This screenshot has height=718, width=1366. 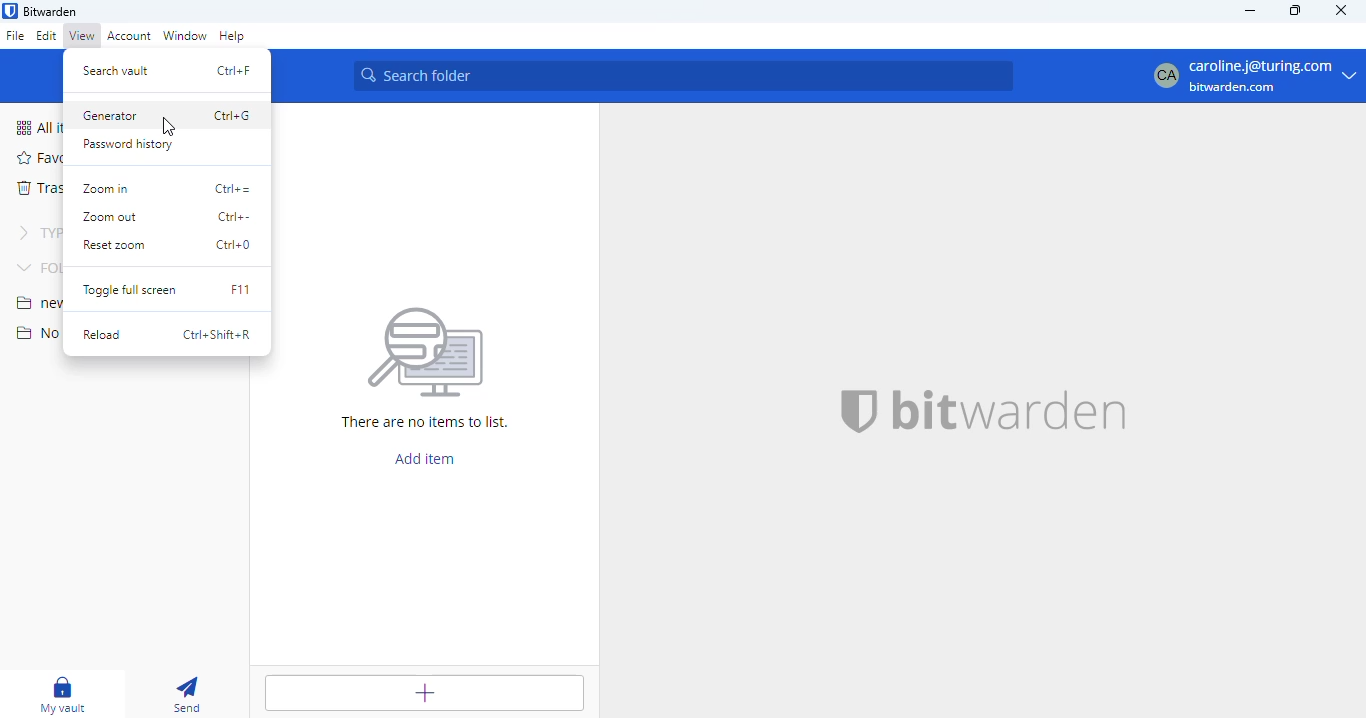 What do you see at coordinates (432, 424) in the screenshot?
I see `There are no items to list ` at bounding box center [432, 424].